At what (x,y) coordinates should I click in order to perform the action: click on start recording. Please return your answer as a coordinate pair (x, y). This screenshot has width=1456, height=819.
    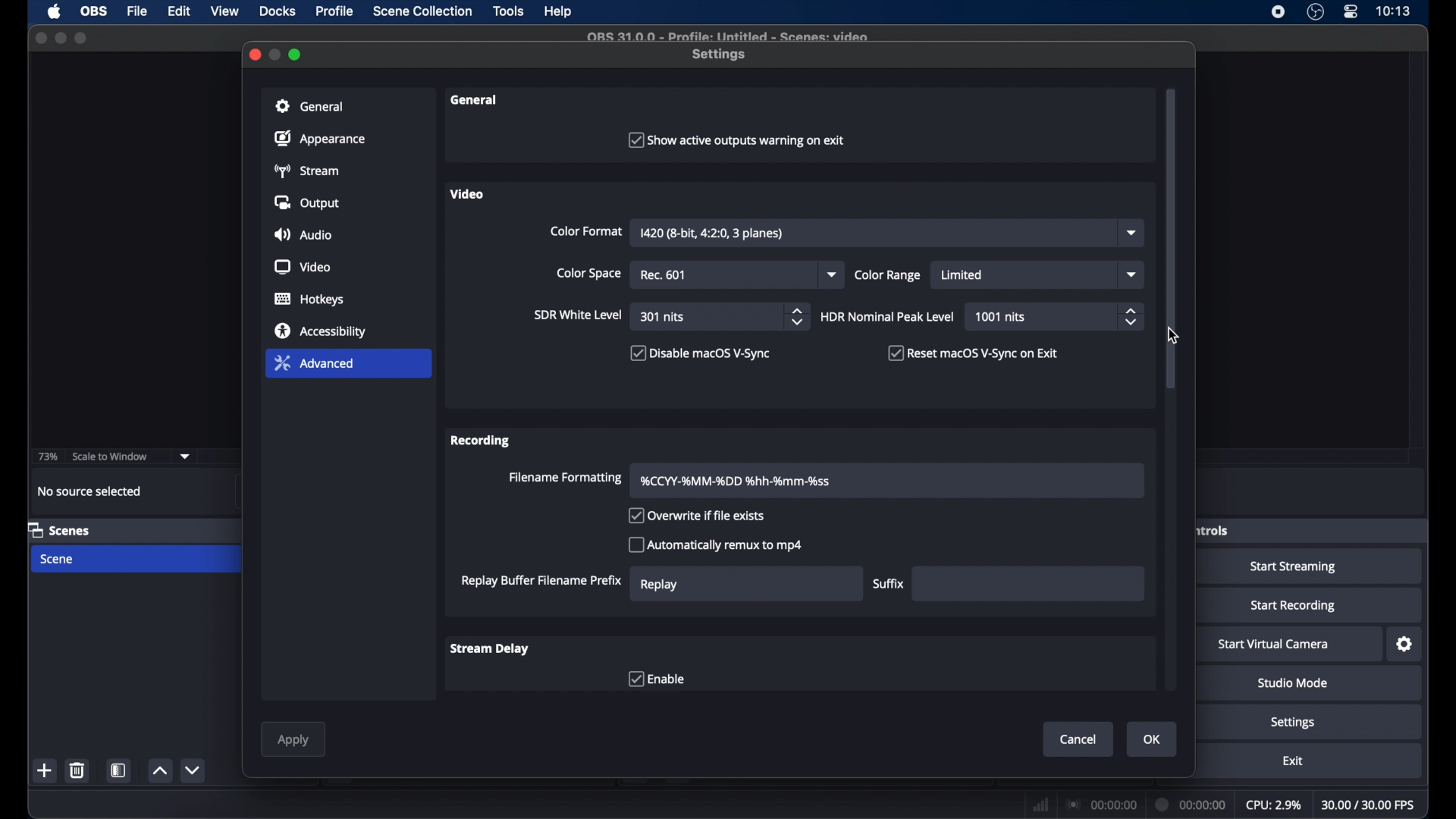
    Looking at the image, I should click on (1294, 606).